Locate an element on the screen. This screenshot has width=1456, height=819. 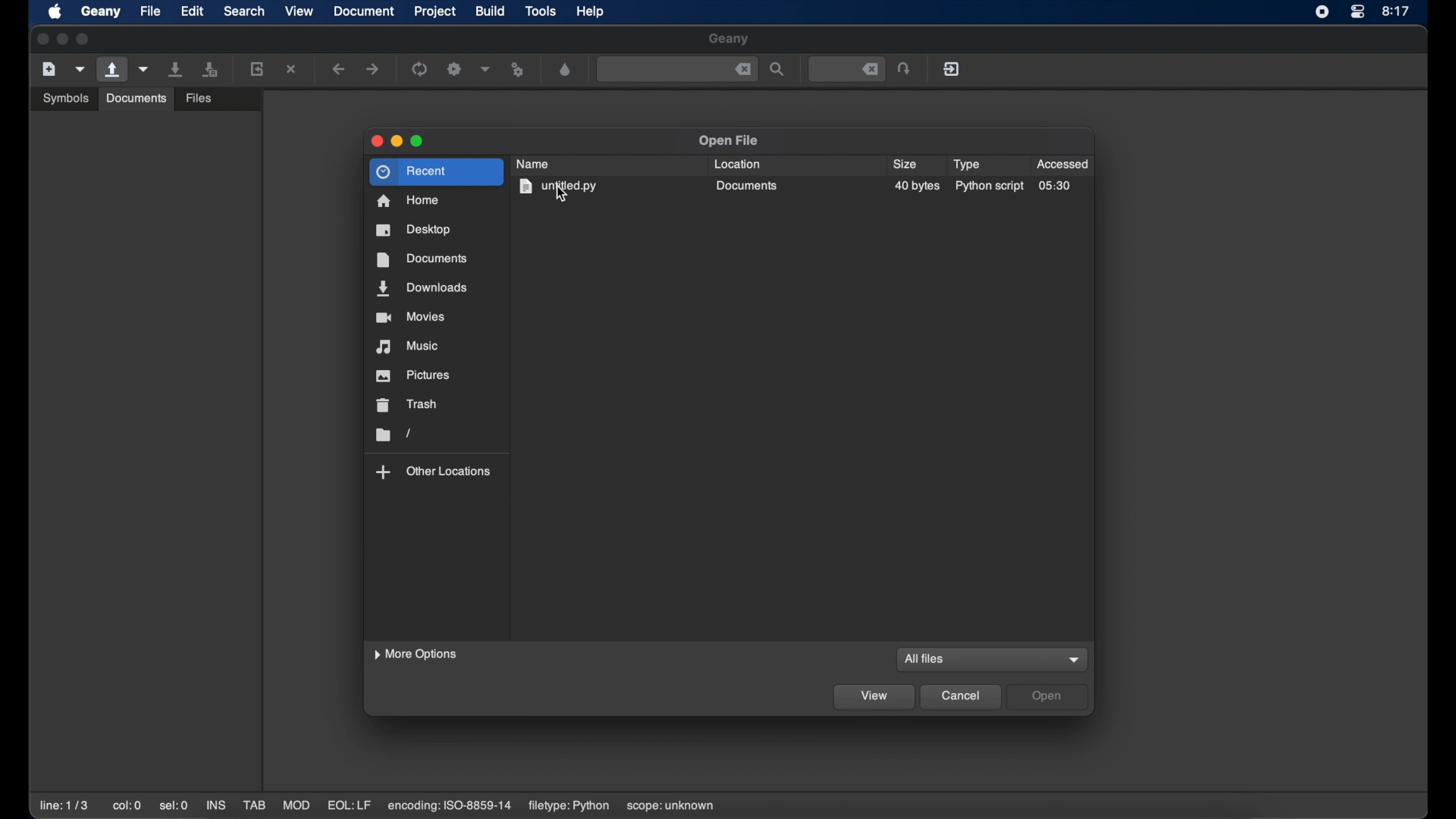
pictures is located at coordinates (413, 375).